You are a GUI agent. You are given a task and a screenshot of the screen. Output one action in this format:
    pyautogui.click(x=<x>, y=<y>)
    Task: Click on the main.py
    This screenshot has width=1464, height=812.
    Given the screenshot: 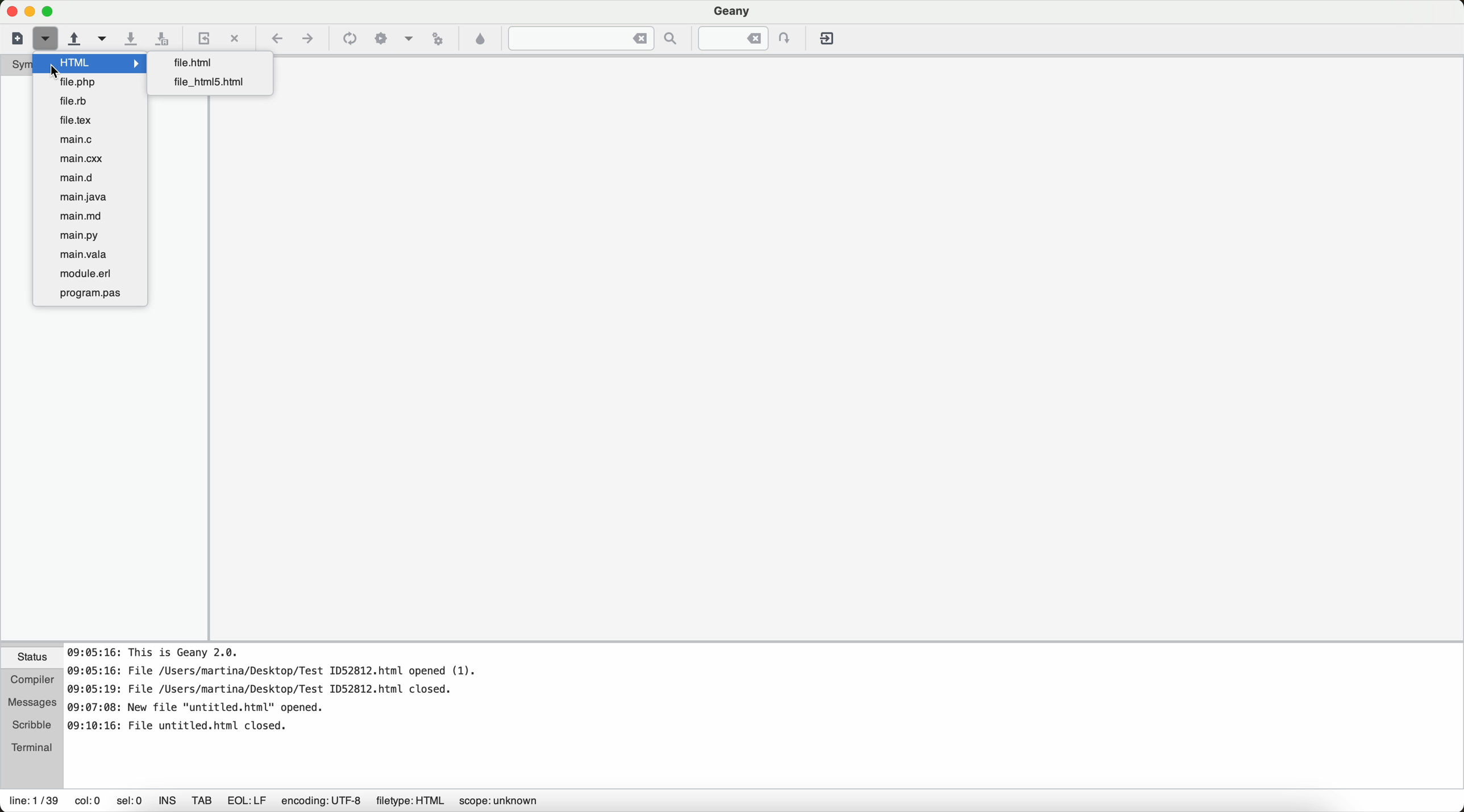 What is the action you would take?
    pyautogui.click(x=89, y=234)
    